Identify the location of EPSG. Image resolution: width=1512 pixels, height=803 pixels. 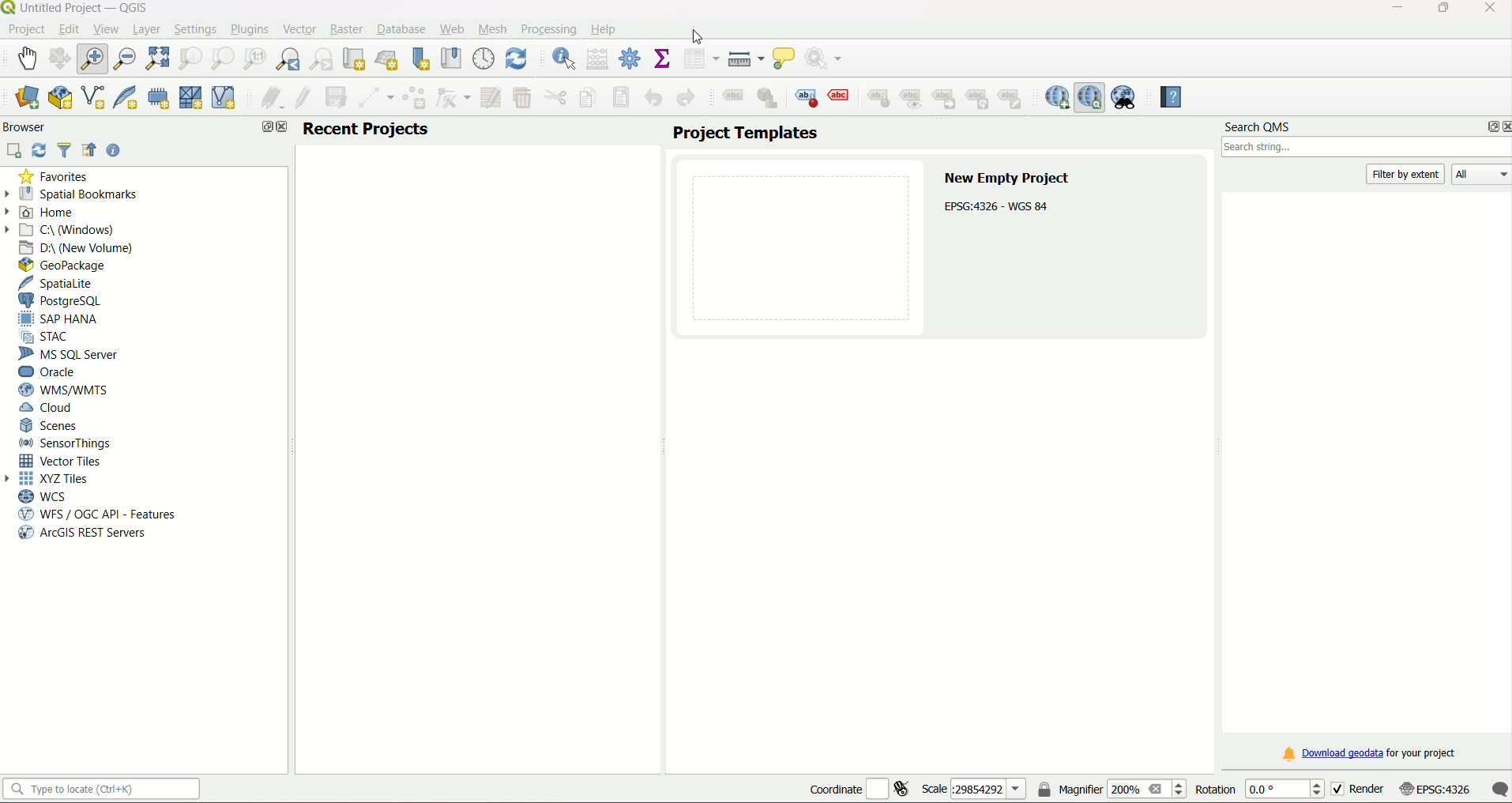
(1435, 790).